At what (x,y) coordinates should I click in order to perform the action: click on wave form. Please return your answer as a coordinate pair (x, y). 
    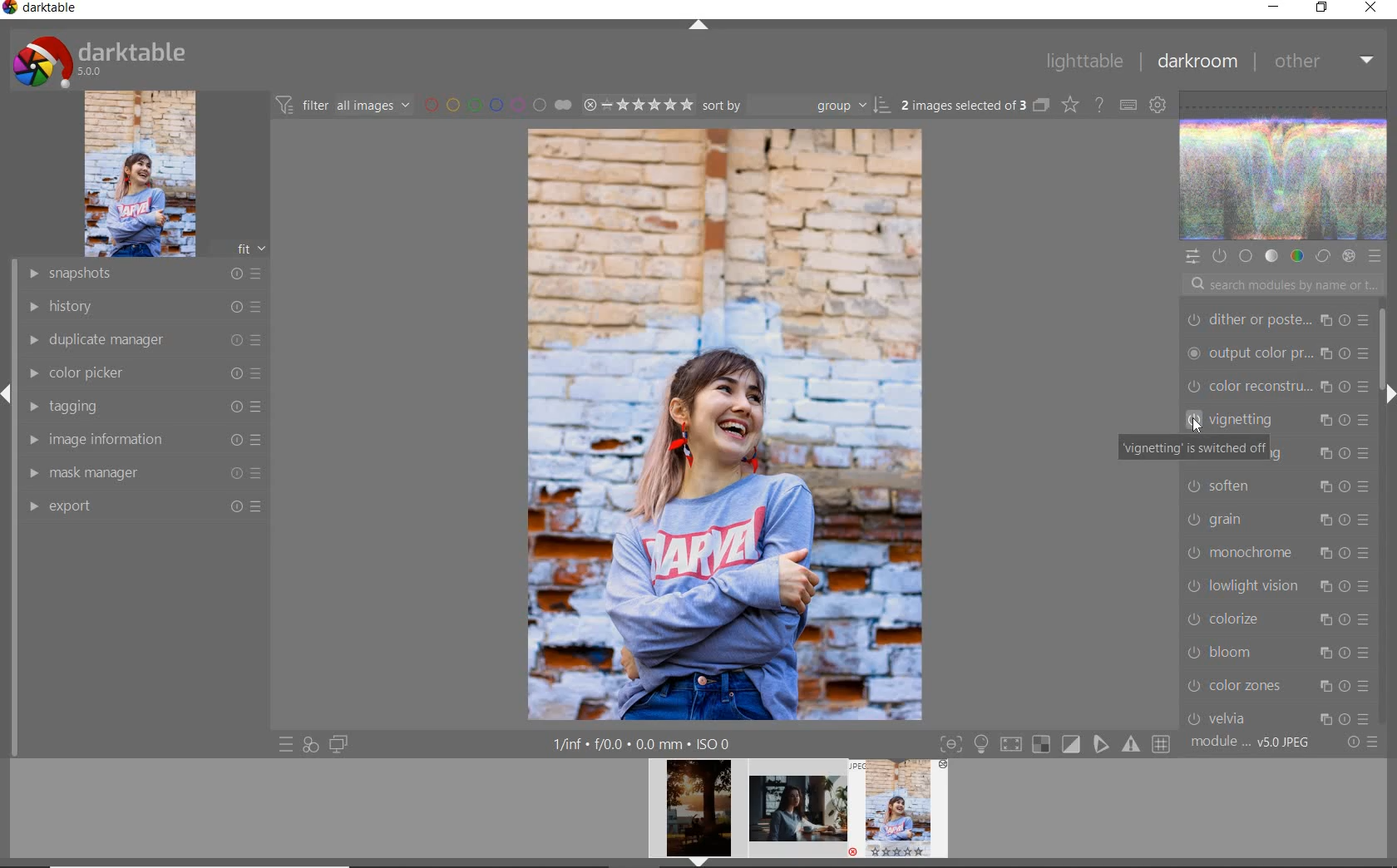
    Looking at the image, I should click on (1285, 167).